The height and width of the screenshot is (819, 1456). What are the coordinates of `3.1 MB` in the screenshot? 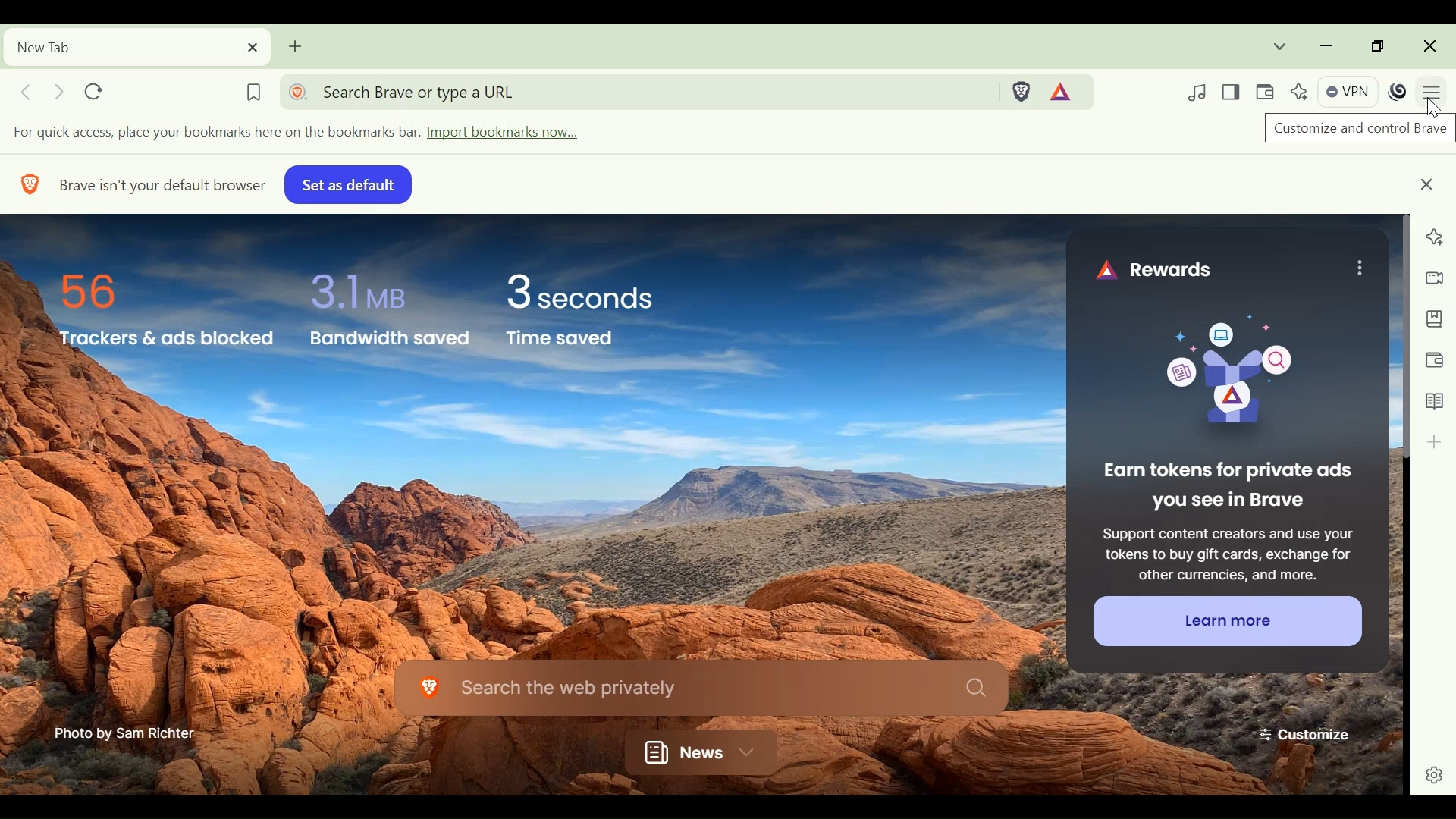 It's located at (356, 287).